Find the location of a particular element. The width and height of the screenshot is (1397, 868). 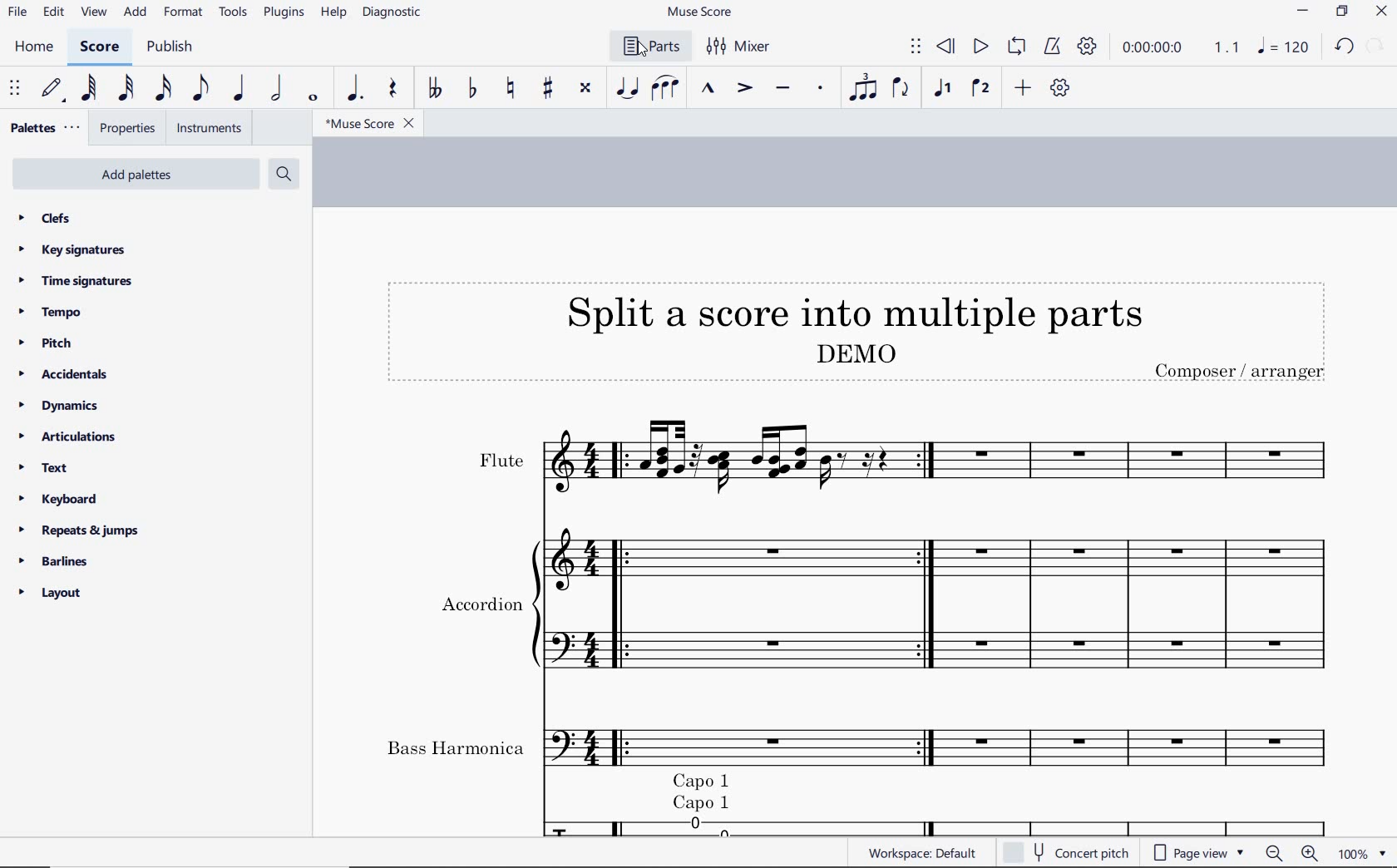

clefs is located at coordinates (38, 217).